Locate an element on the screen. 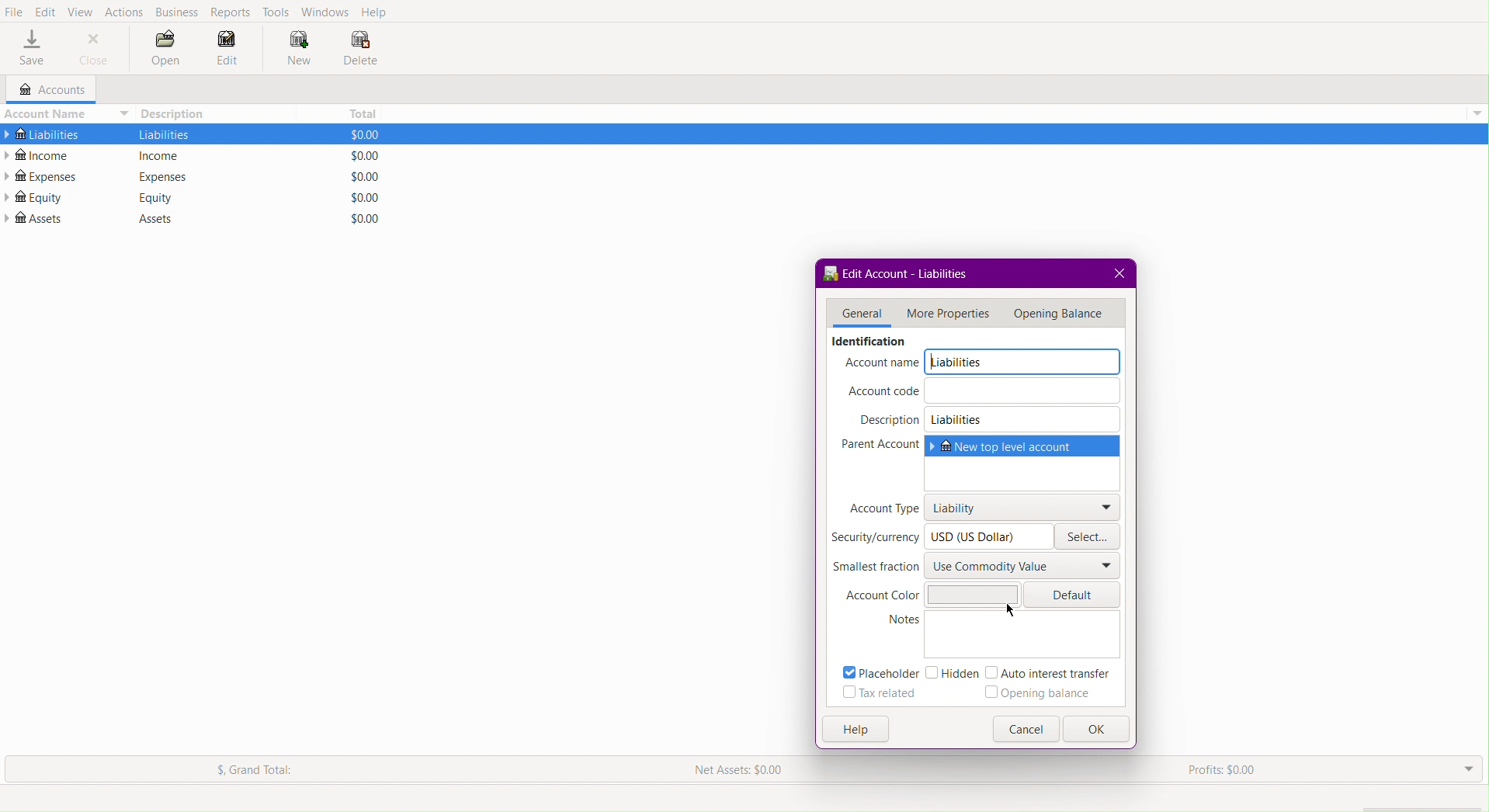  Edit is located at coordinates (45, 10).